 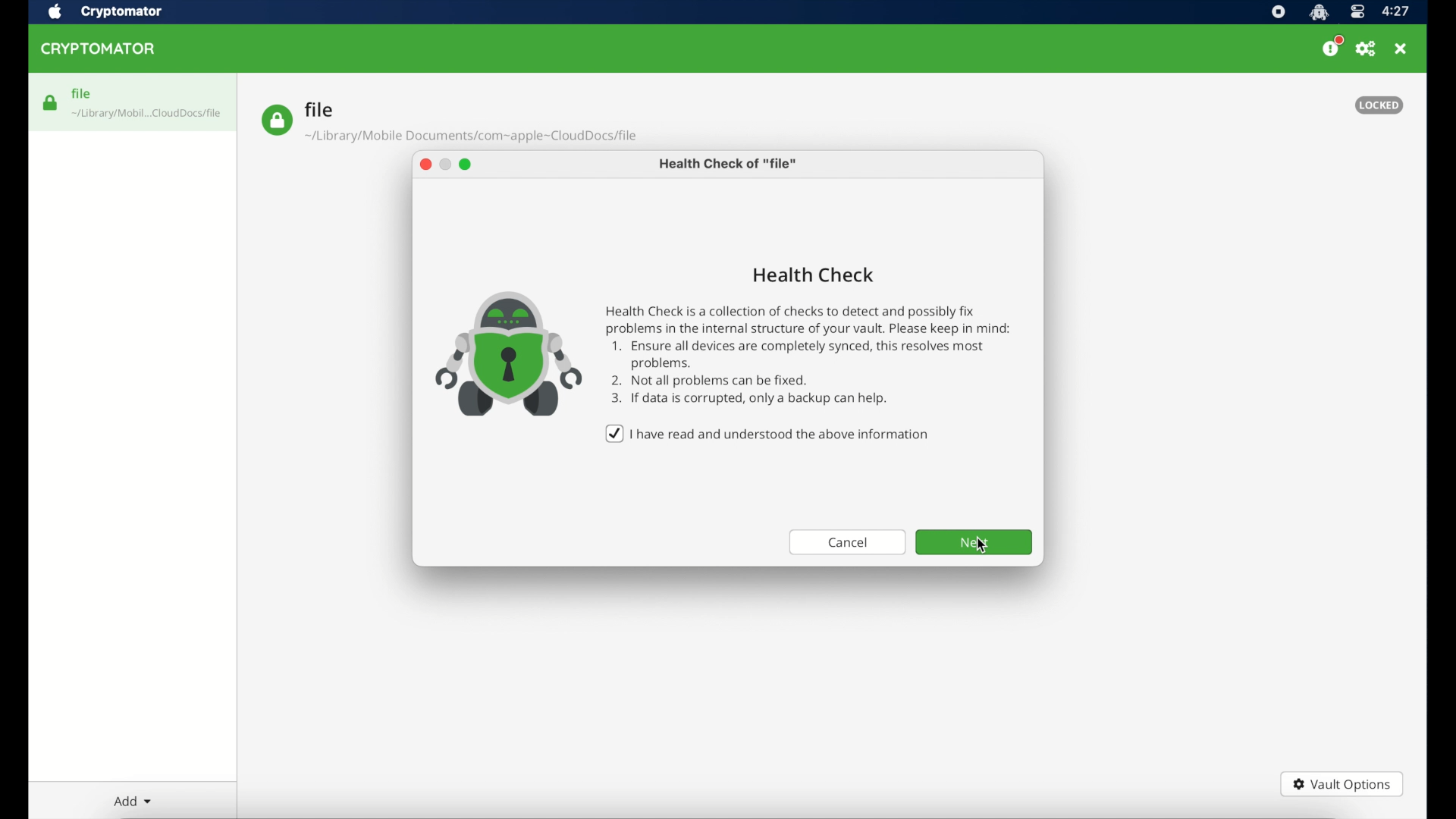 What do you see at coordinates (974, 542) in the screenshot?
I see `next` at bounding box center [974, 542].